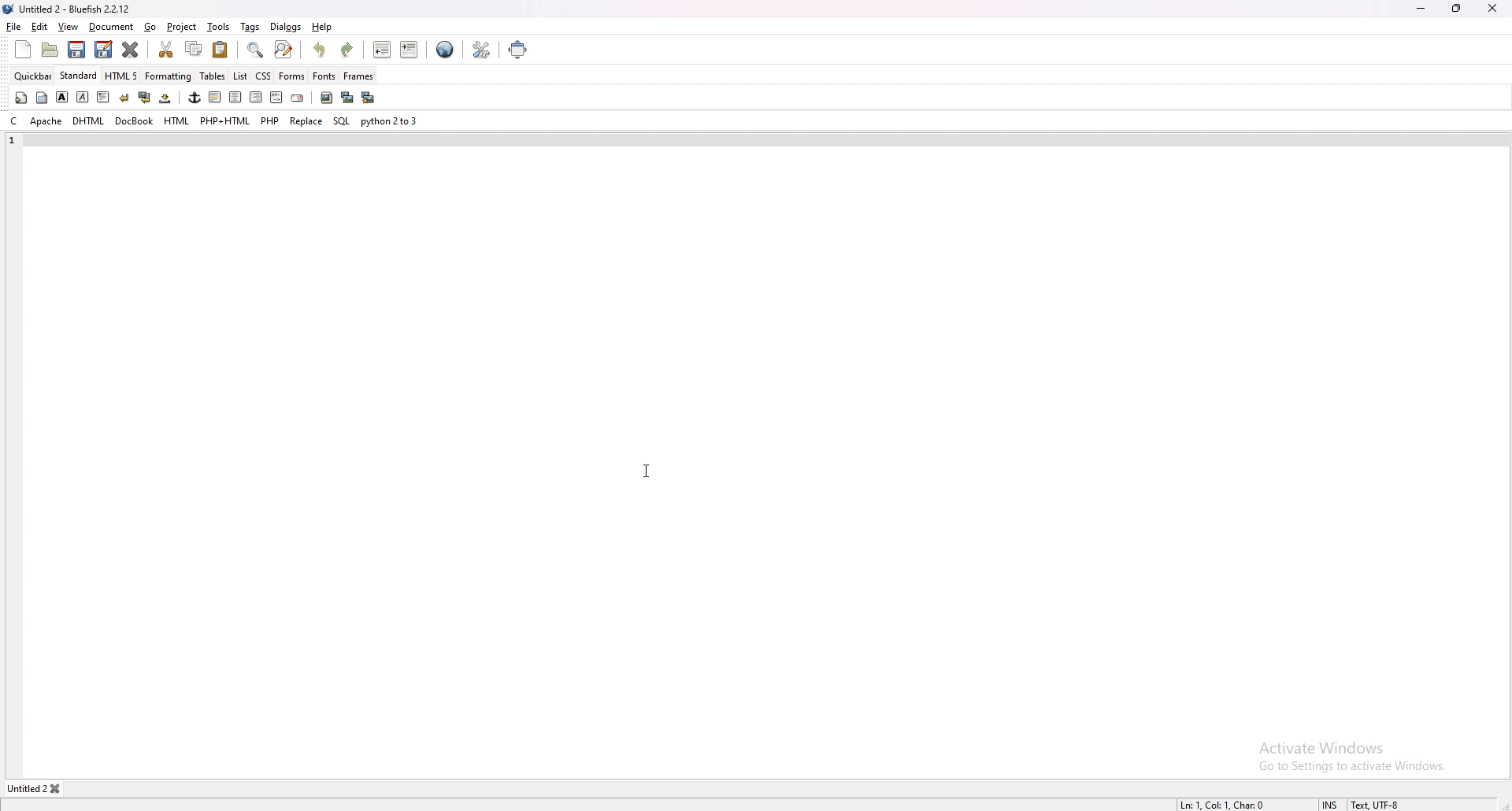  I want to click on cut, so click(166, 49).